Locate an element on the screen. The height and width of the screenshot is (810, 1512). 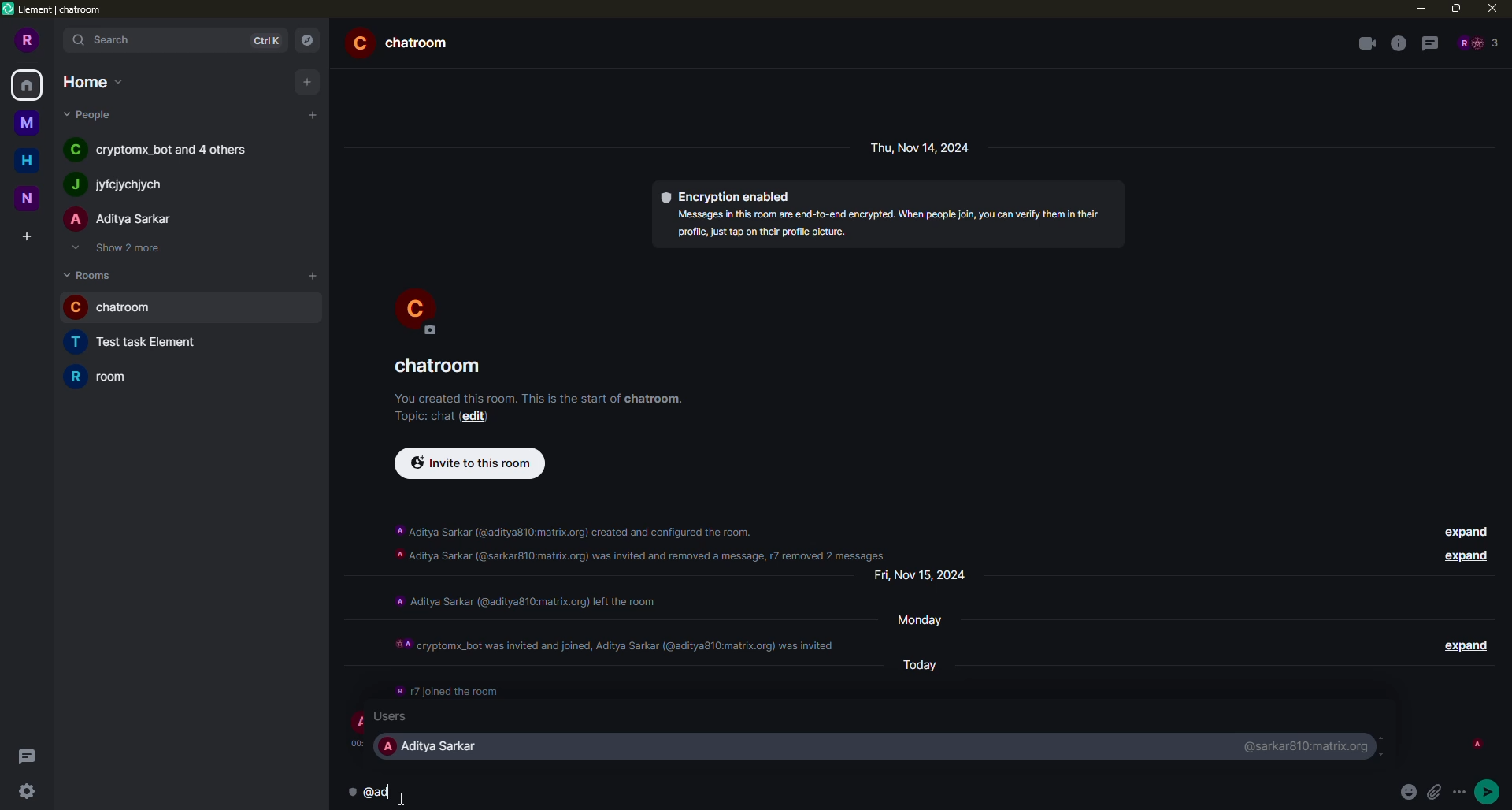
cursor is located at coordinates (406, 793).